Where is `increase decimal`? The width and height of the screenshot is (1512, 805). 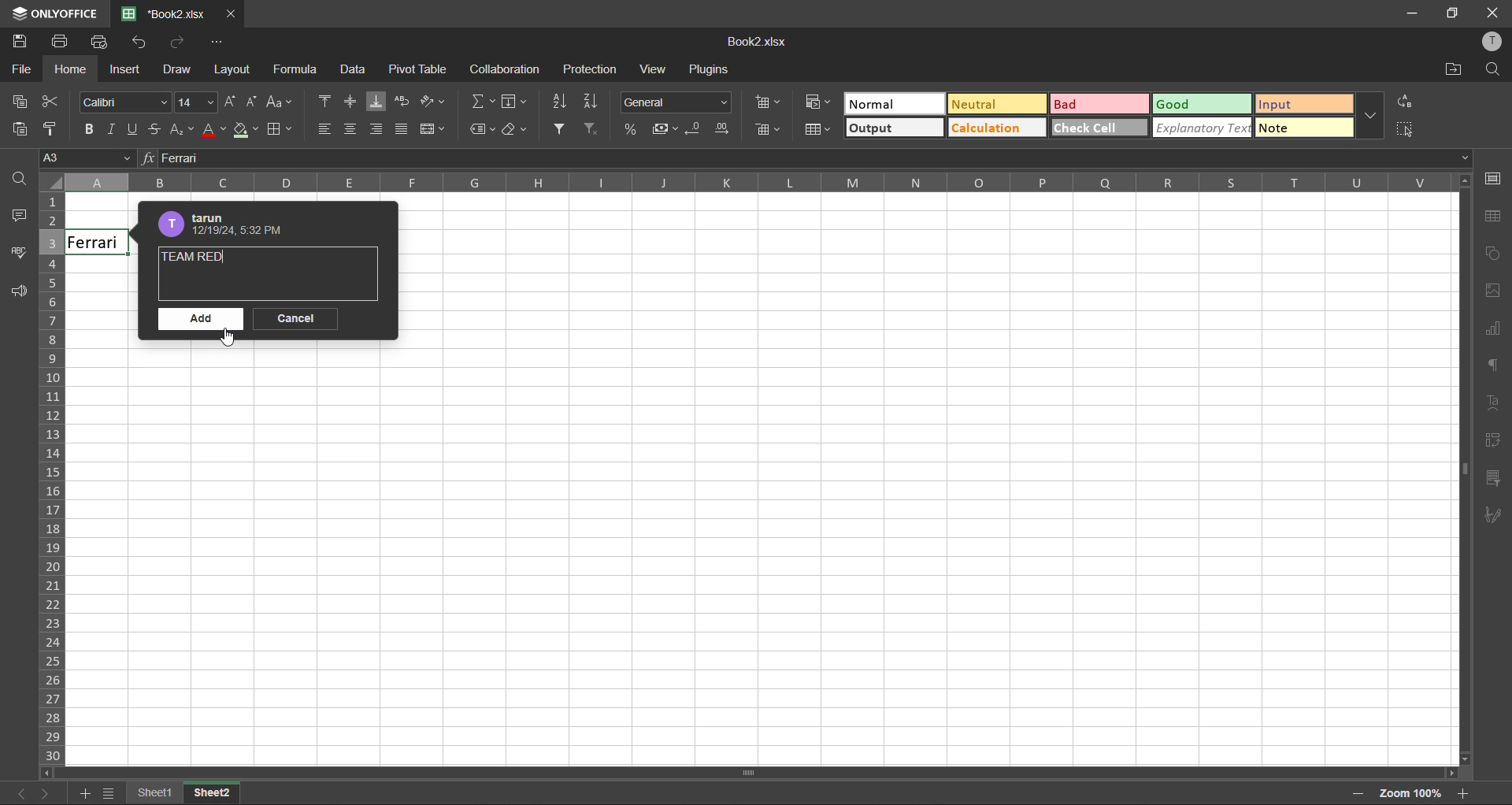 increase decimal is located at coordinates (728, 131).